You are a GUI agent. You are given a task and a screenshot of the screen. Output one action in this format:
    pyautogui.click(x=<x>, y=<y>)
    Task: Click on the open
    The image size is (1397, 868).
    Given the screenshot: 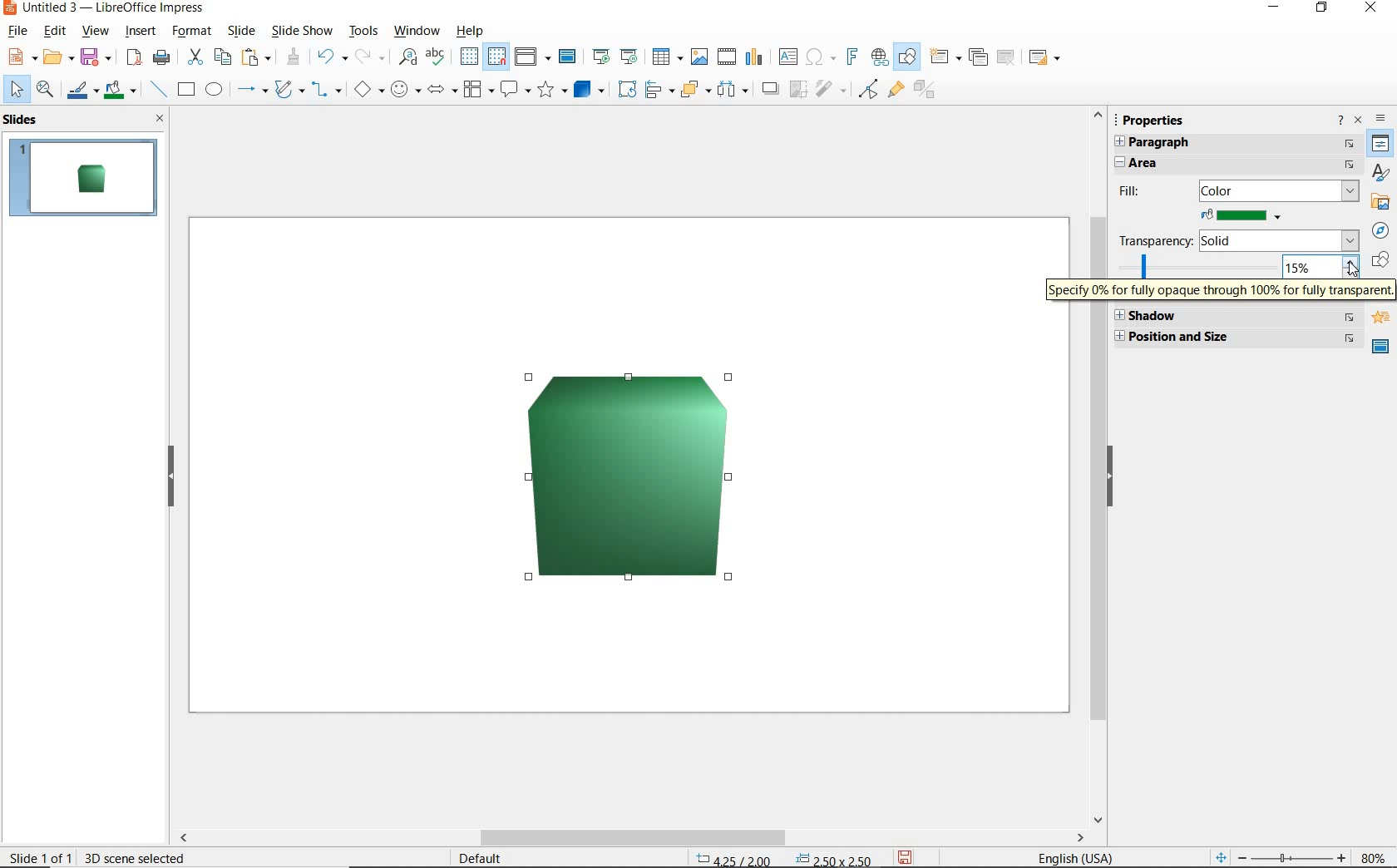 What is the action you would take?
    pyautogui.click(x=57, y=57)
    